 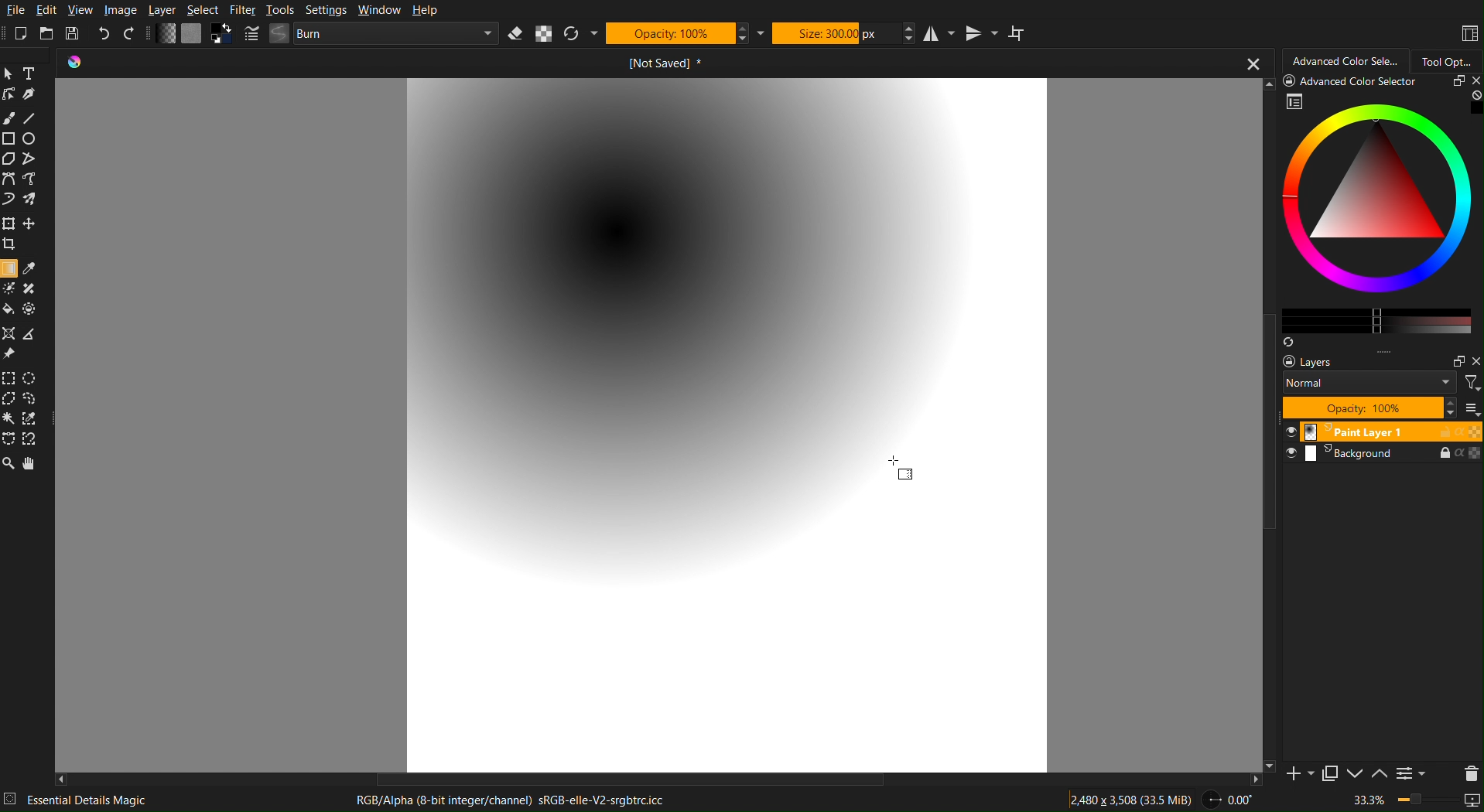 What do you see at coordinates (82, 10) in the screenshot?
I see `View` at bounding box center [82, 10].